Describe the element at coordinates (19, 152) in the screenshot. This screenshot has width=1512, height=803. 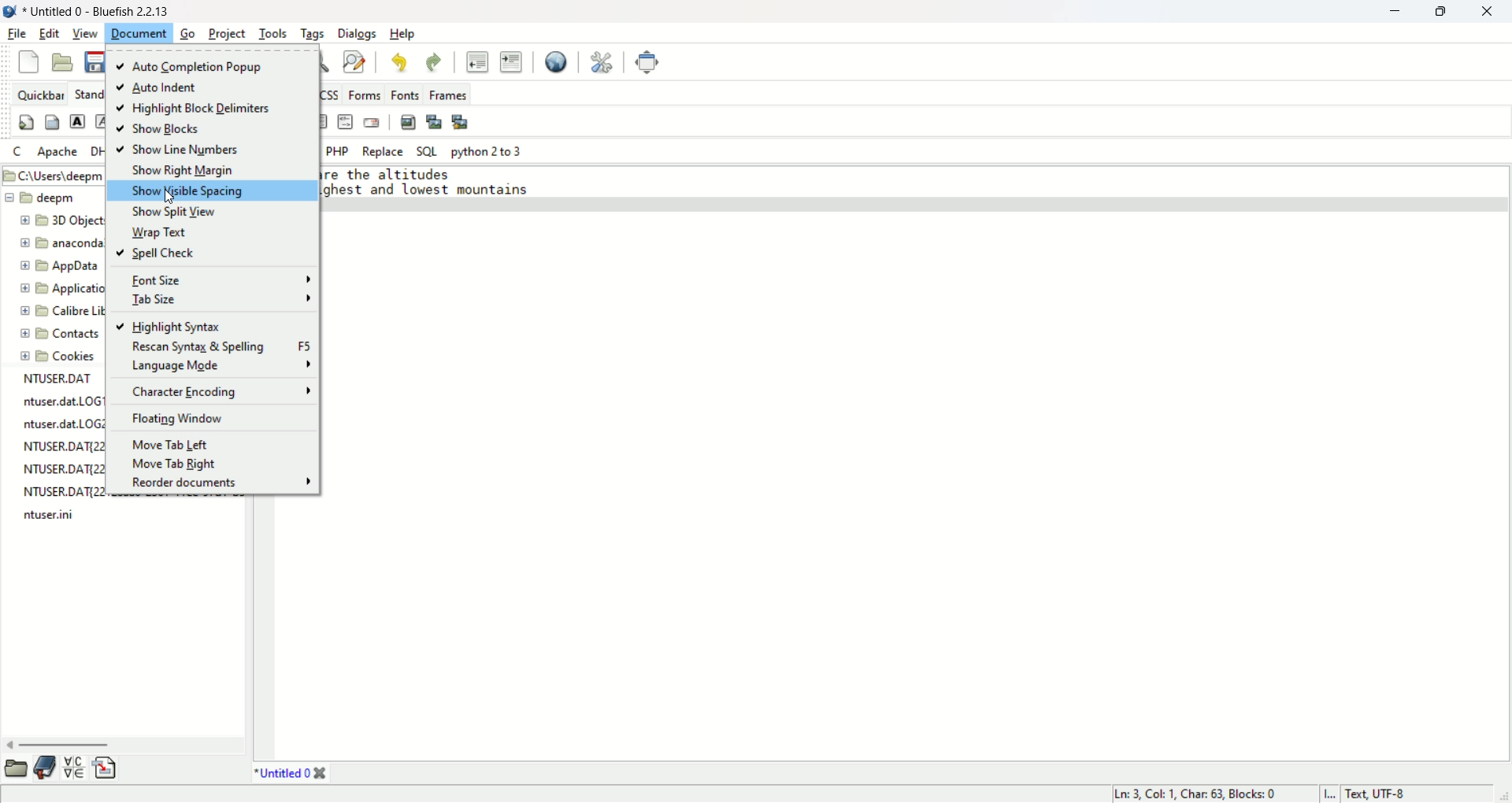
I see `C` at that location.